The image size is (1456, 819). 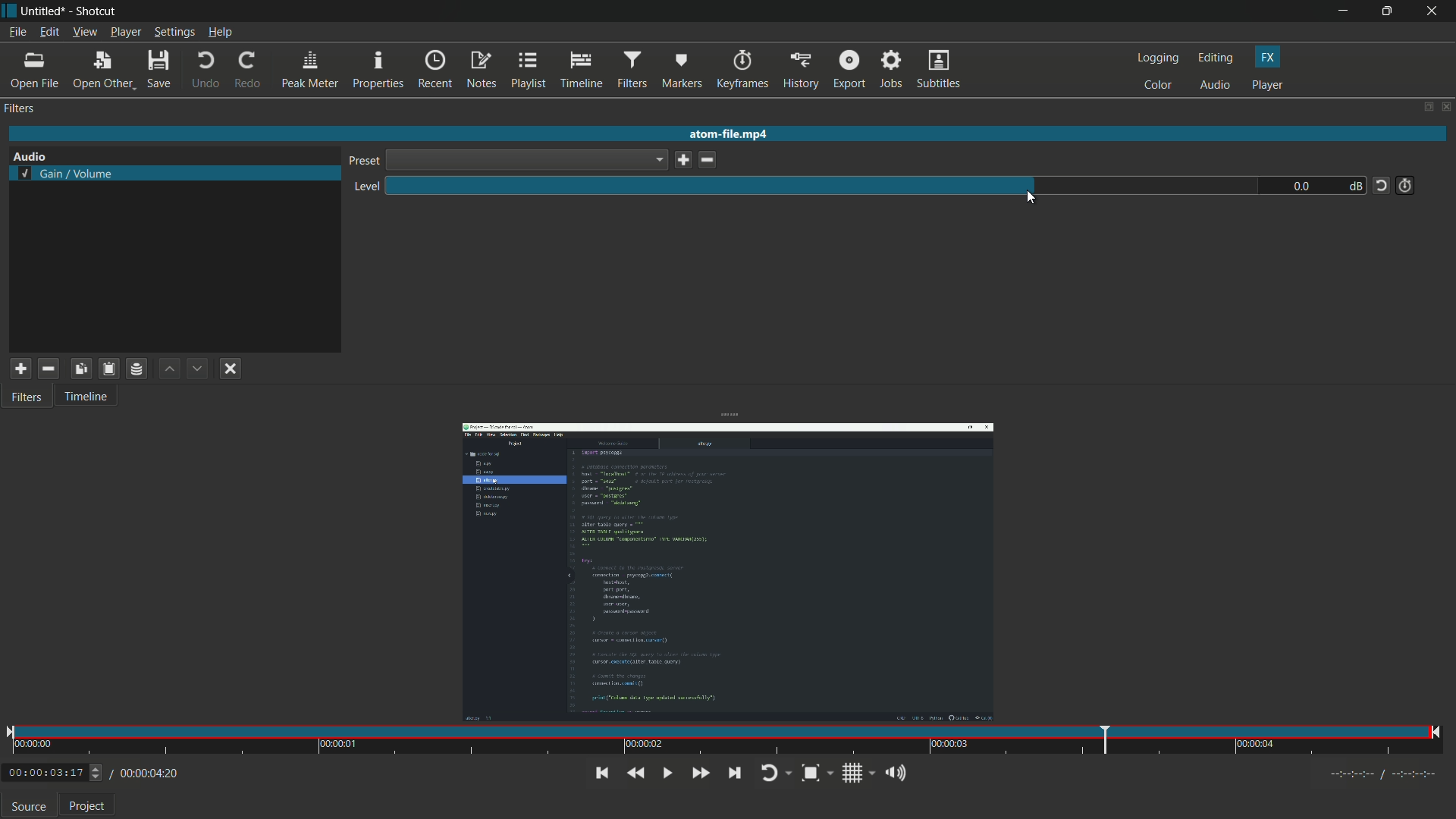 What do you see at coordinates (1298, 187) in the screenshot?
I see `0.0` at bounding box center [1298, 187].